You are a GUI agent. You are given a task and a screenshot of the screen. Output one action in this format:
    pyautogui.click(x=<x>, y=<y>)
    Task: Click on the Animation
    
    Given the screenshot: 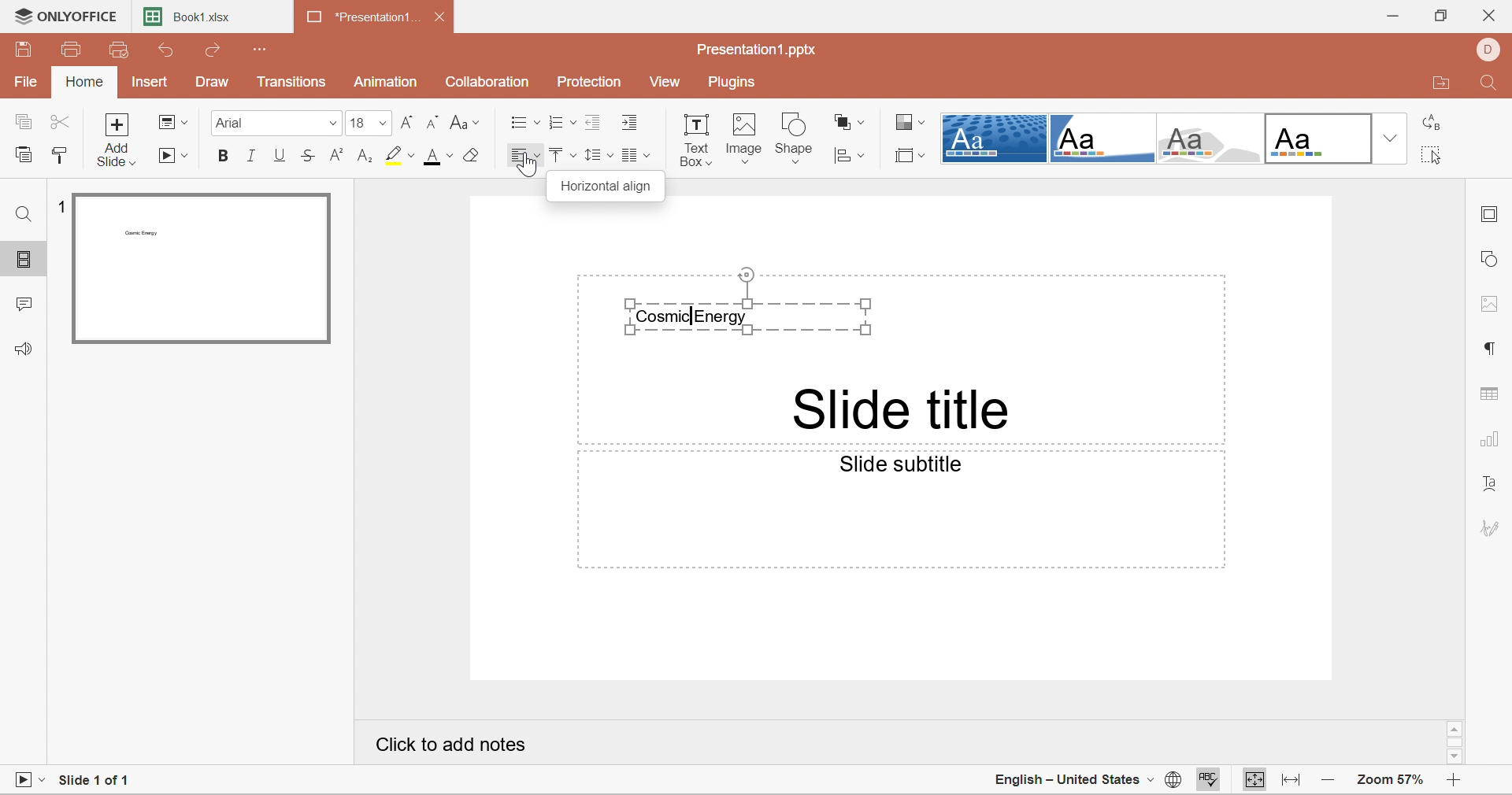 What is the action you would take?
    pyautogui.click(x=385, y=82)
    